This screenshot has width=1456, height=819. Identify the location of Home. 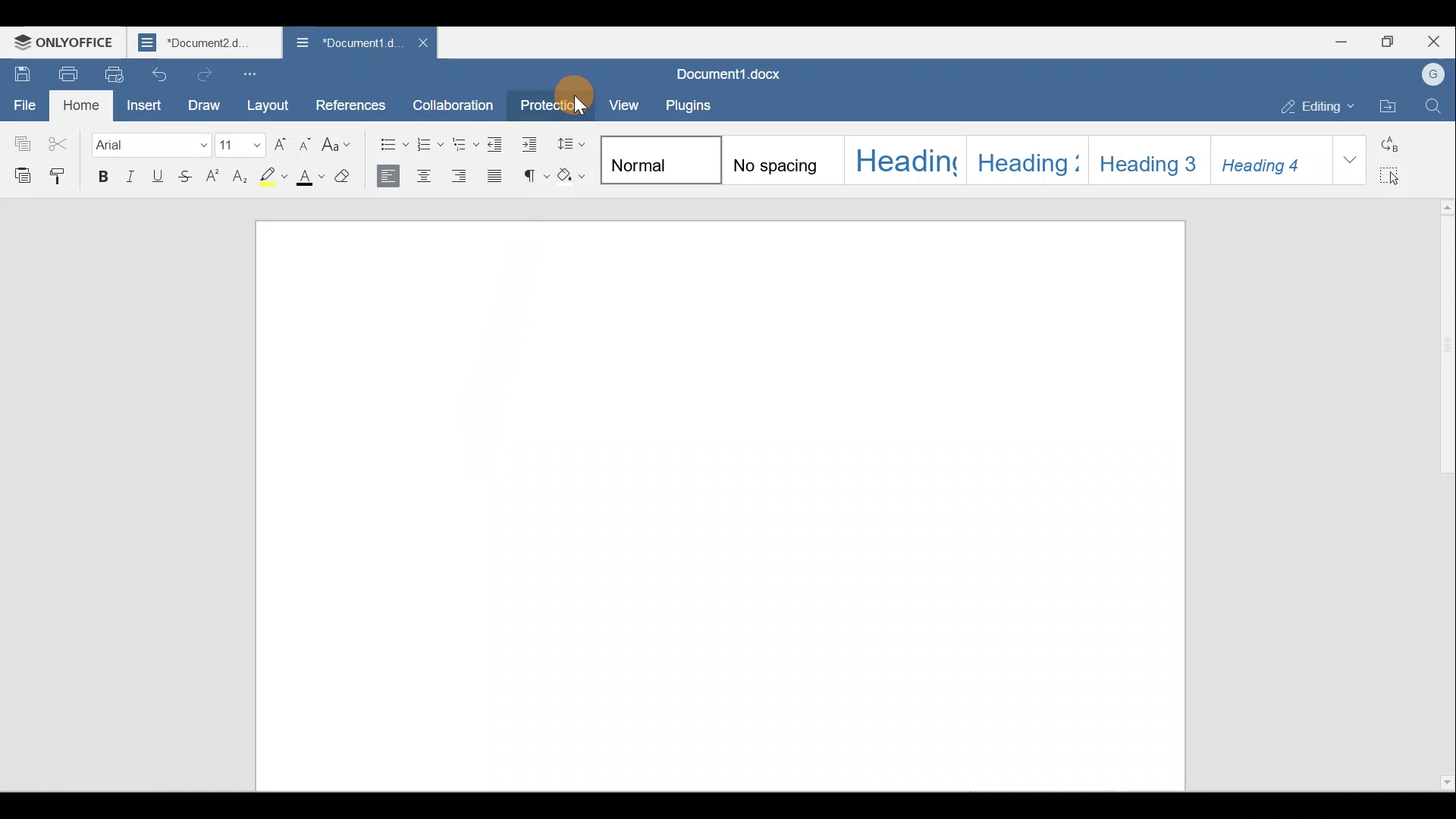
(80, 105).